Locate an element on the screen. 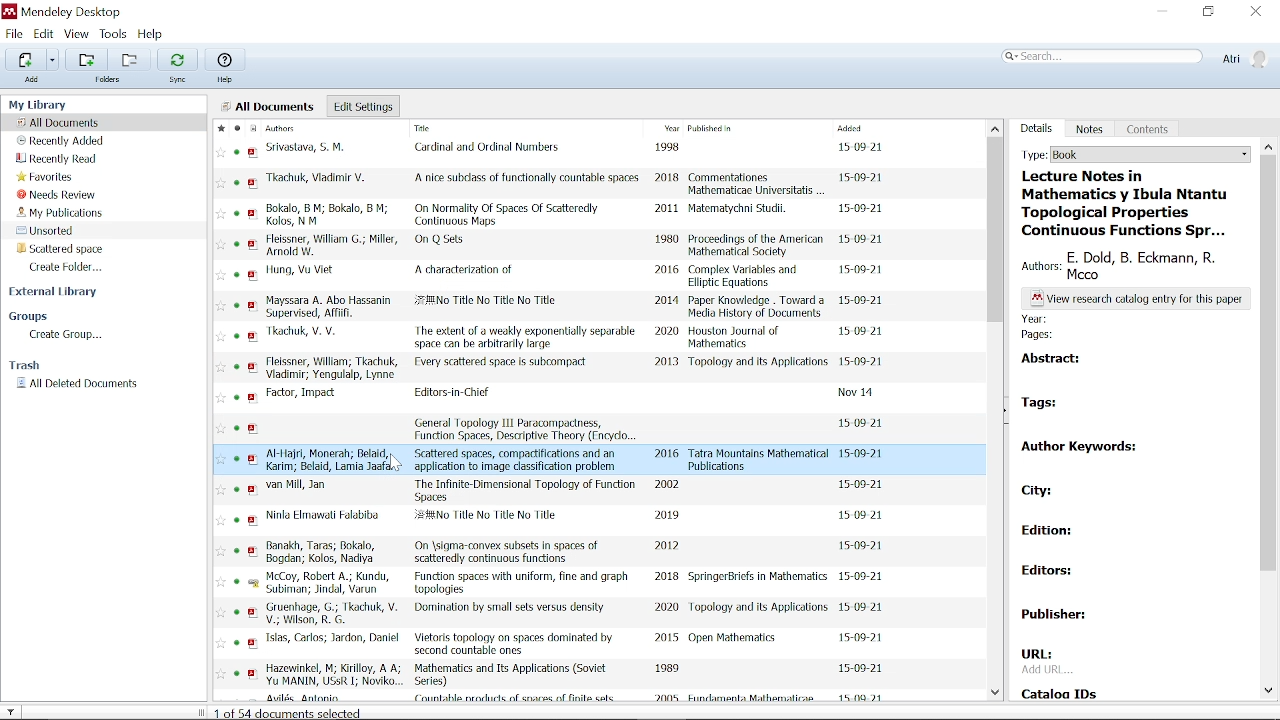 The image size is (1280, 720). title is located at coordinates (525, 490).